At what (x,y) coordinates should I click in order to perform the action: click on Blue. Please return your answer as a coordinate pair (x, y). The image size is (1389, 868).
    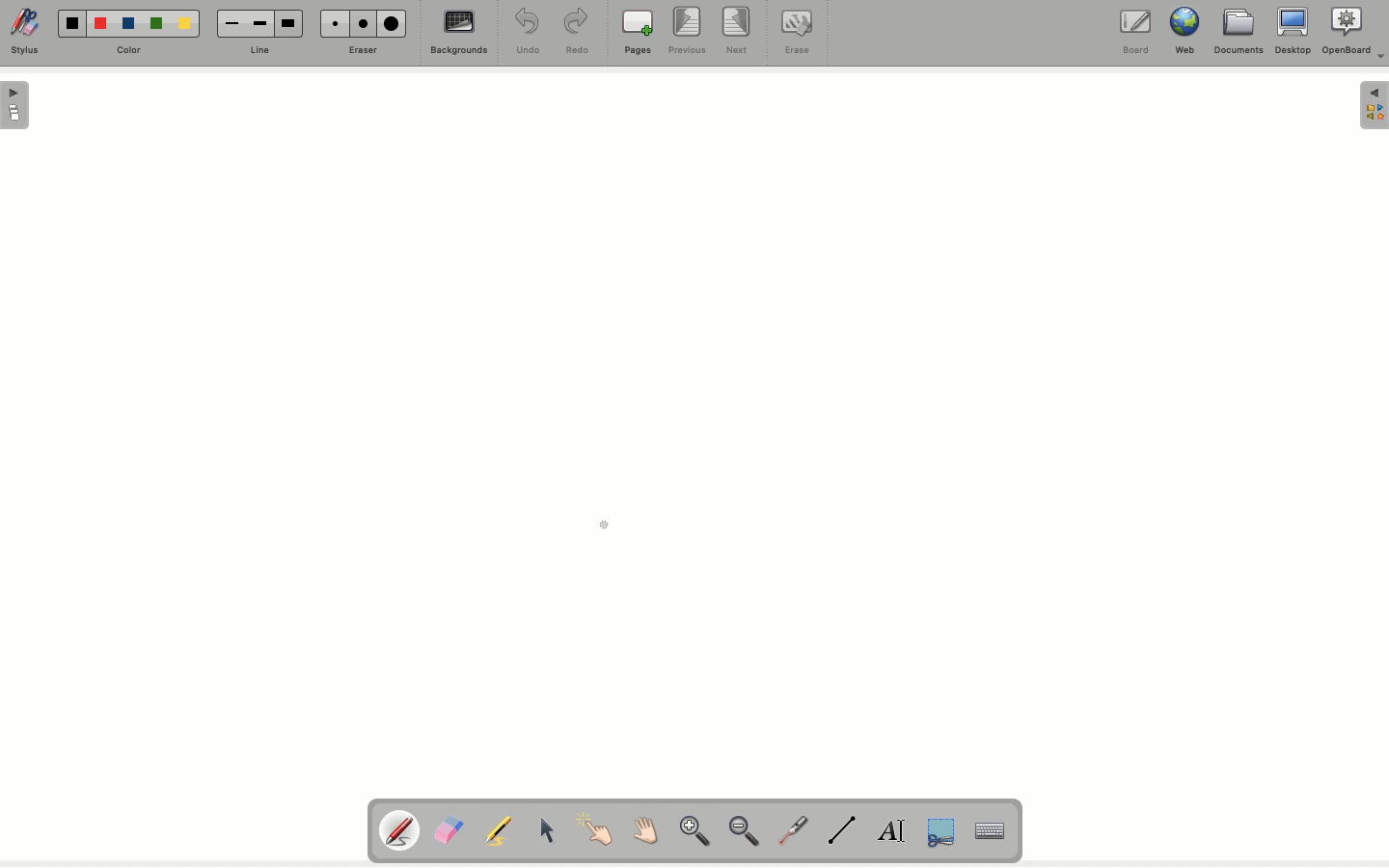
    Looking at the image, I should click on (128, 20).